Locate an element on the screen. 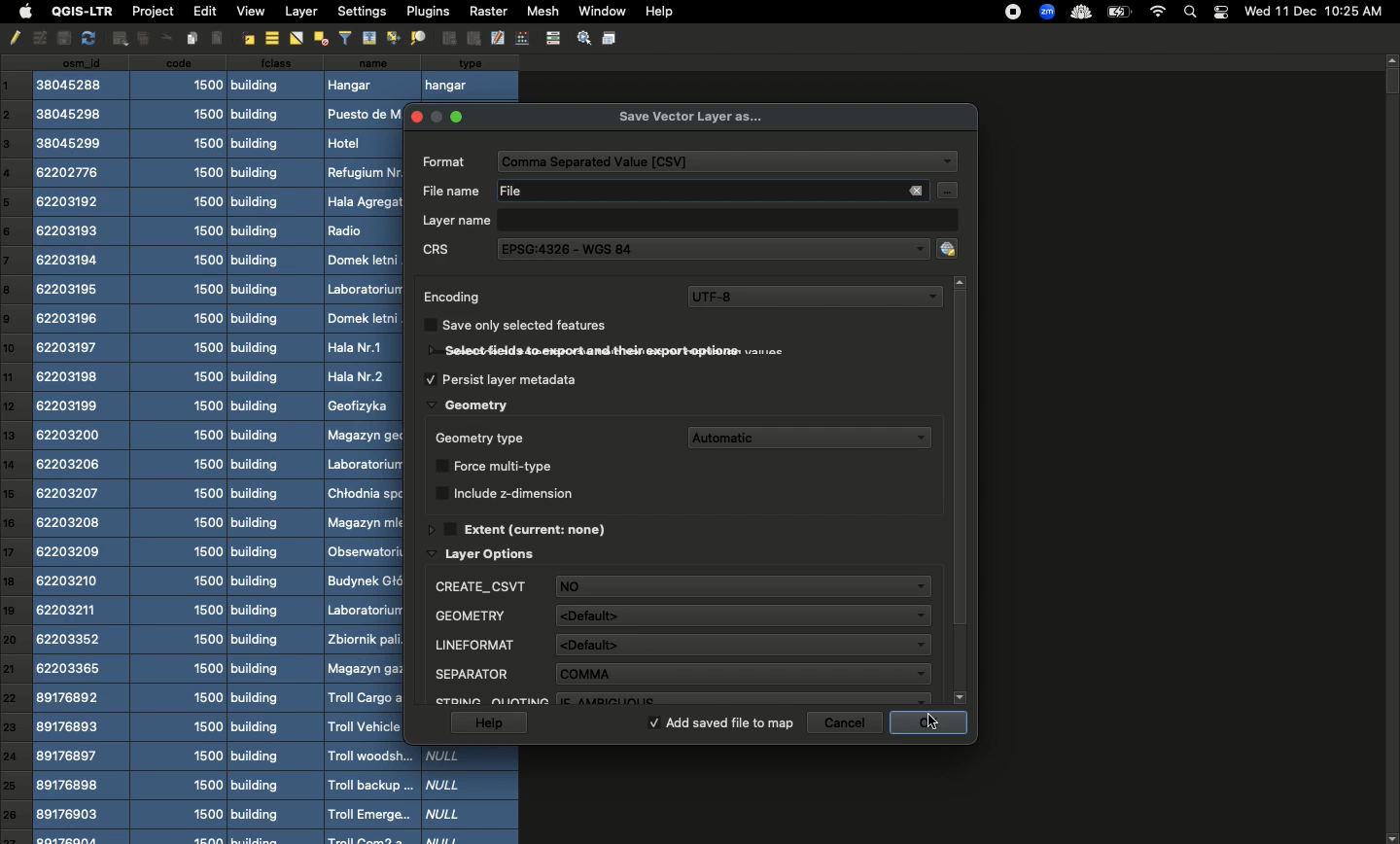  Layer options is located at coordinates (494, 551).